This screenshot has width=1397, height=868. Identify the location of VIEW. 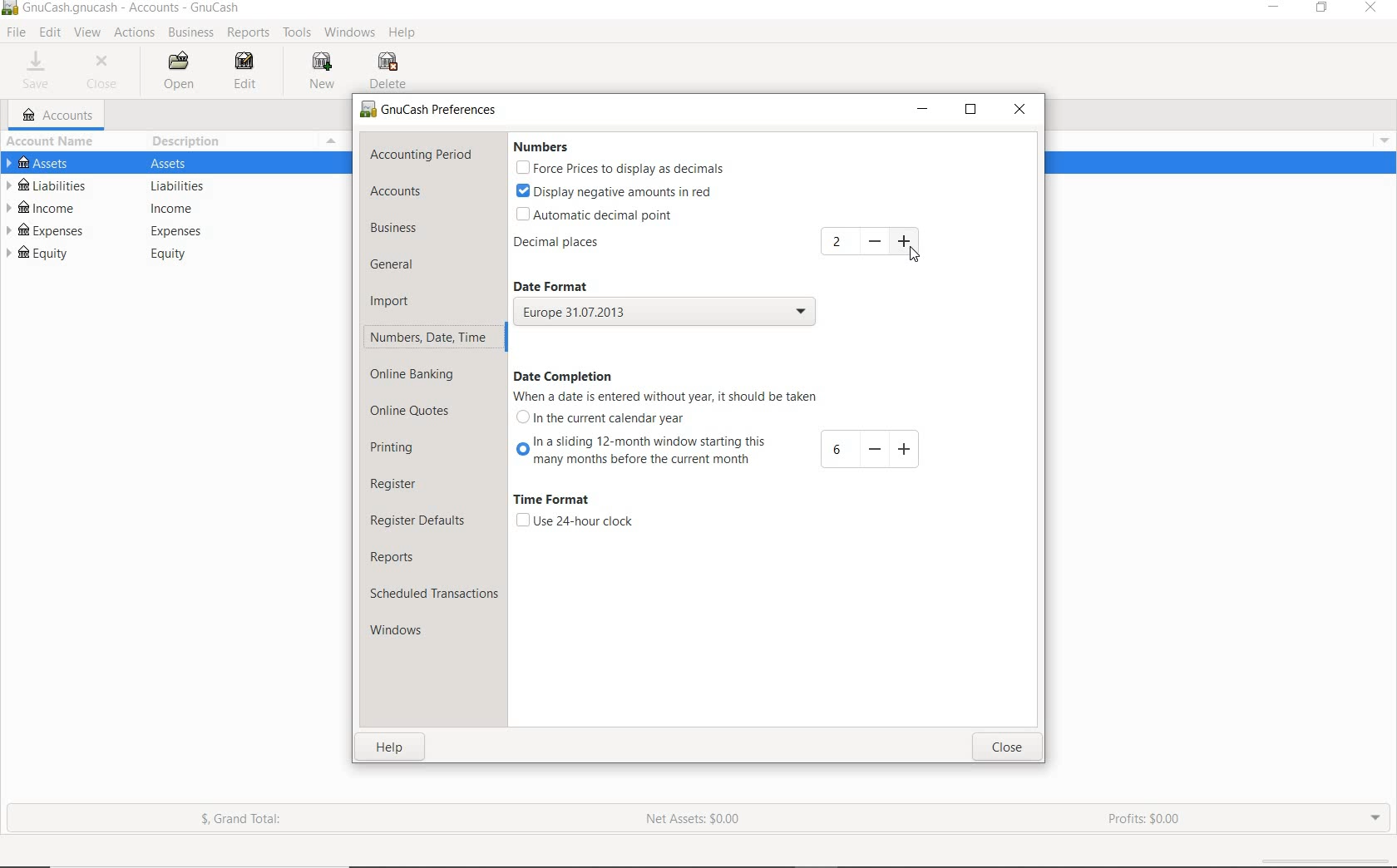
(89, 33).